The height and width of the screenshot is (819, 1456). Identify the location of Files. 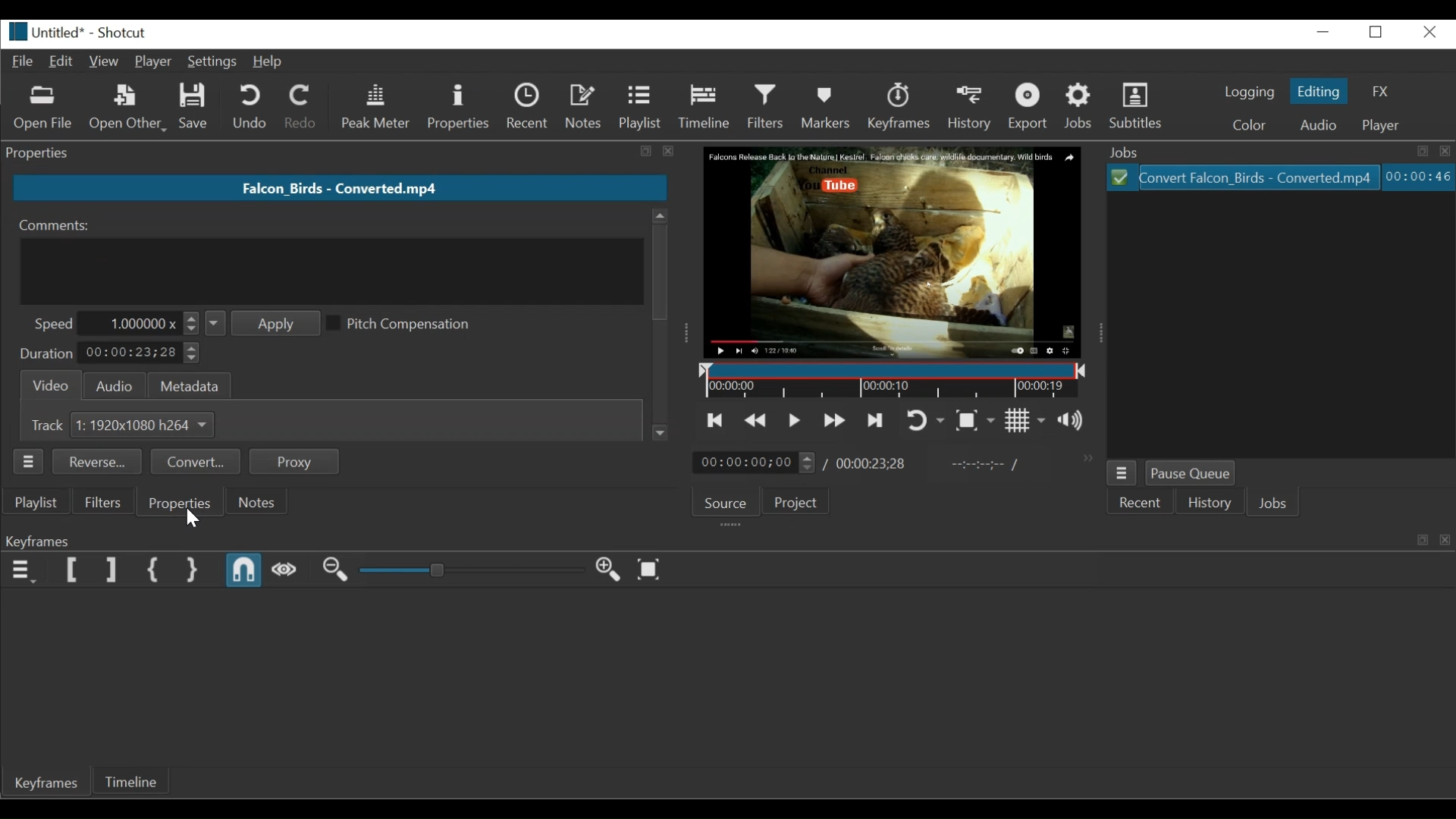
(1241, 178).